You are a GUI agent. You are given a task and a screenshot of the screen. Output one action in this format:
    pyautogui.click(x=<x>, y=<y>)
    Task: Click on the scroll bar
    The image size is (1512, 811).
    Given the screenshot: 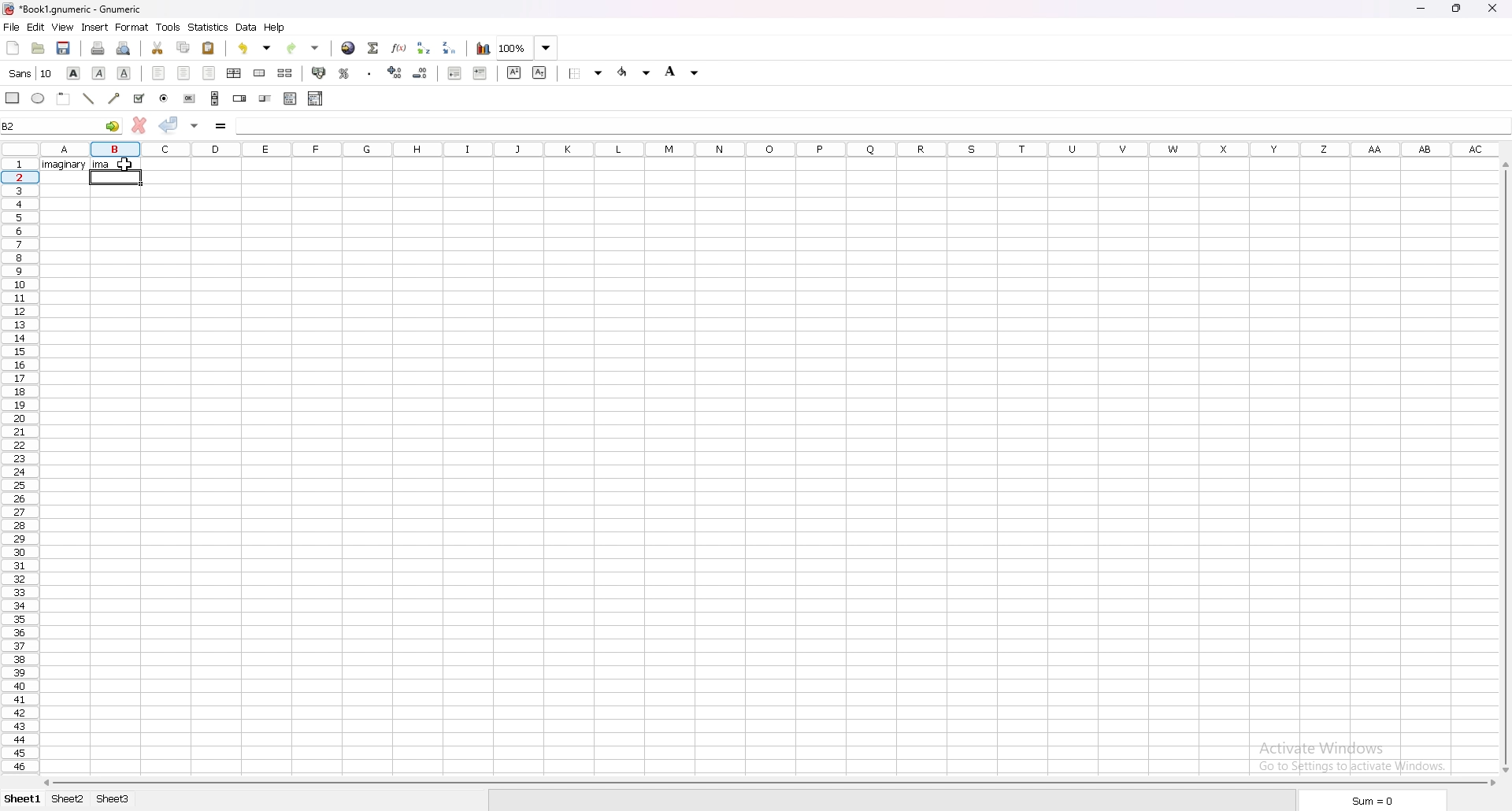 What is the action you would take?
    pyautogui.click(x=771, y=783)
    